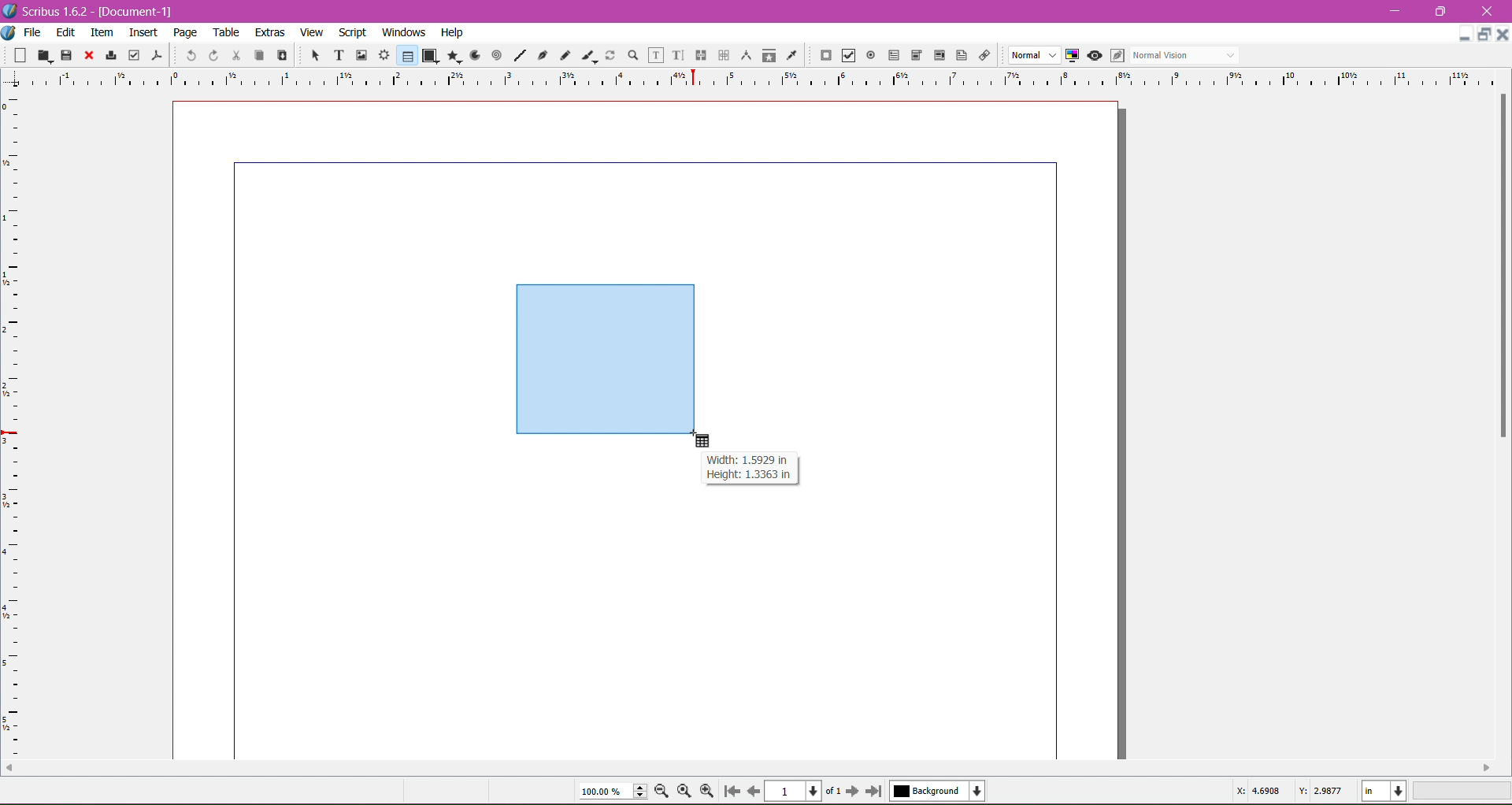  Describe the element at coordinates (744, 56) in the screenshot. I see `Measurements` at that location.